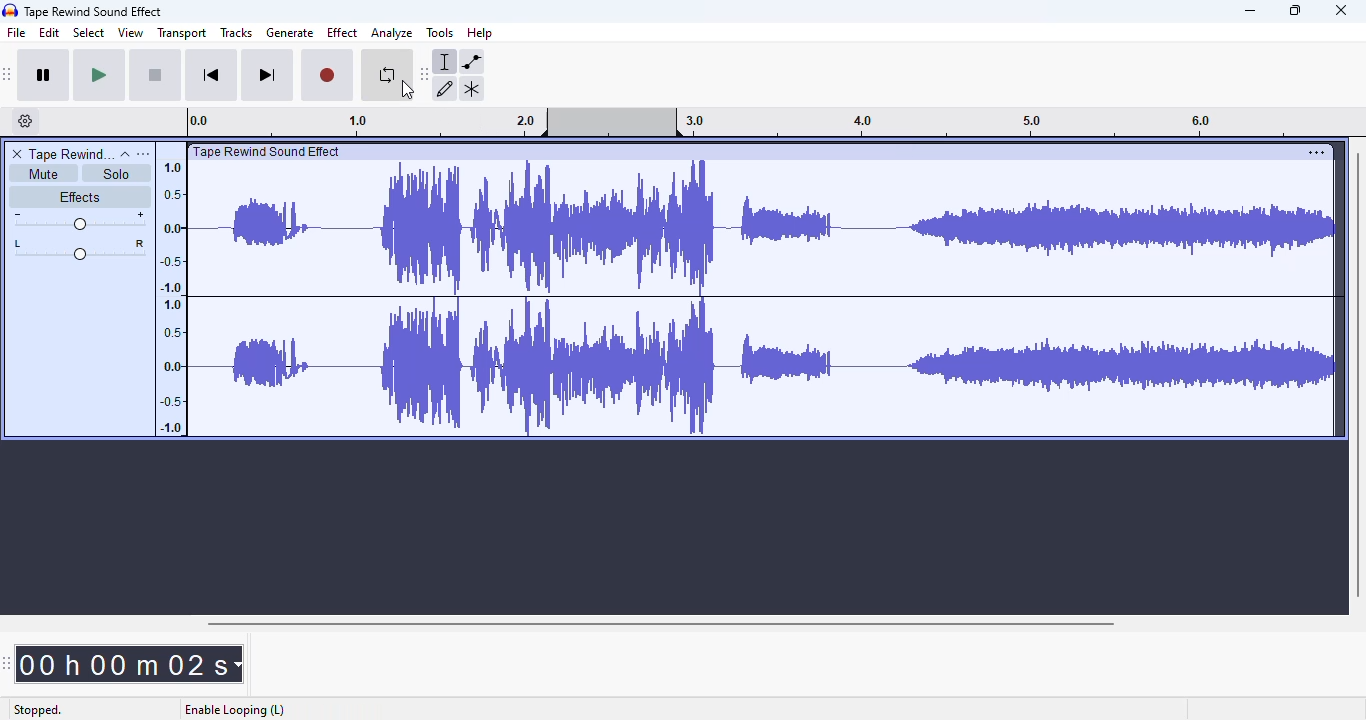 The image size is (1366, 720). What do you see at coordinates (181, 34) in the screenshot?
I see `transport` at bounding box center [181, 34].